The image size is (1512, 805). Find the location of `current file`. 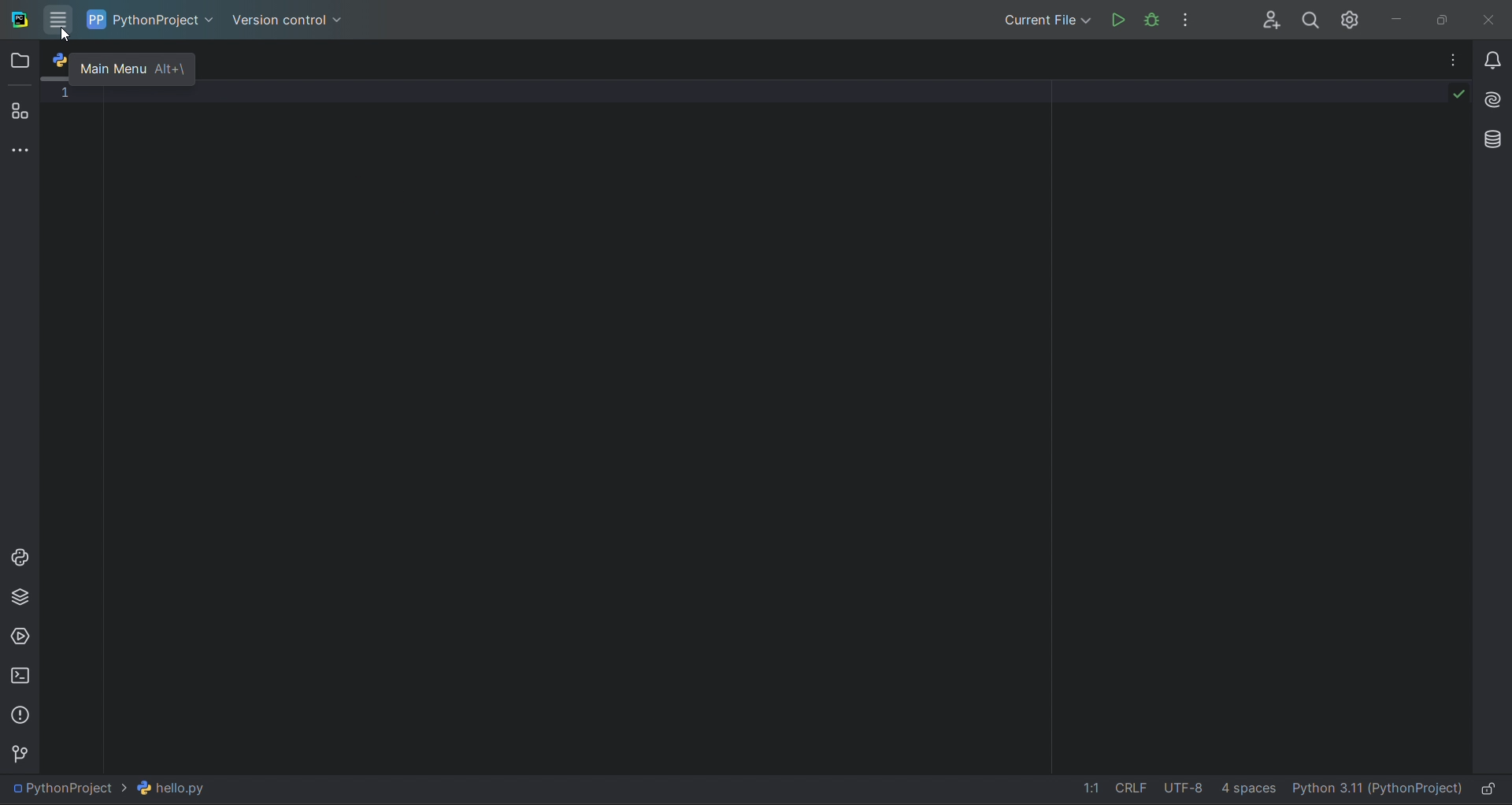

current file is located at coordinates (117, 788).